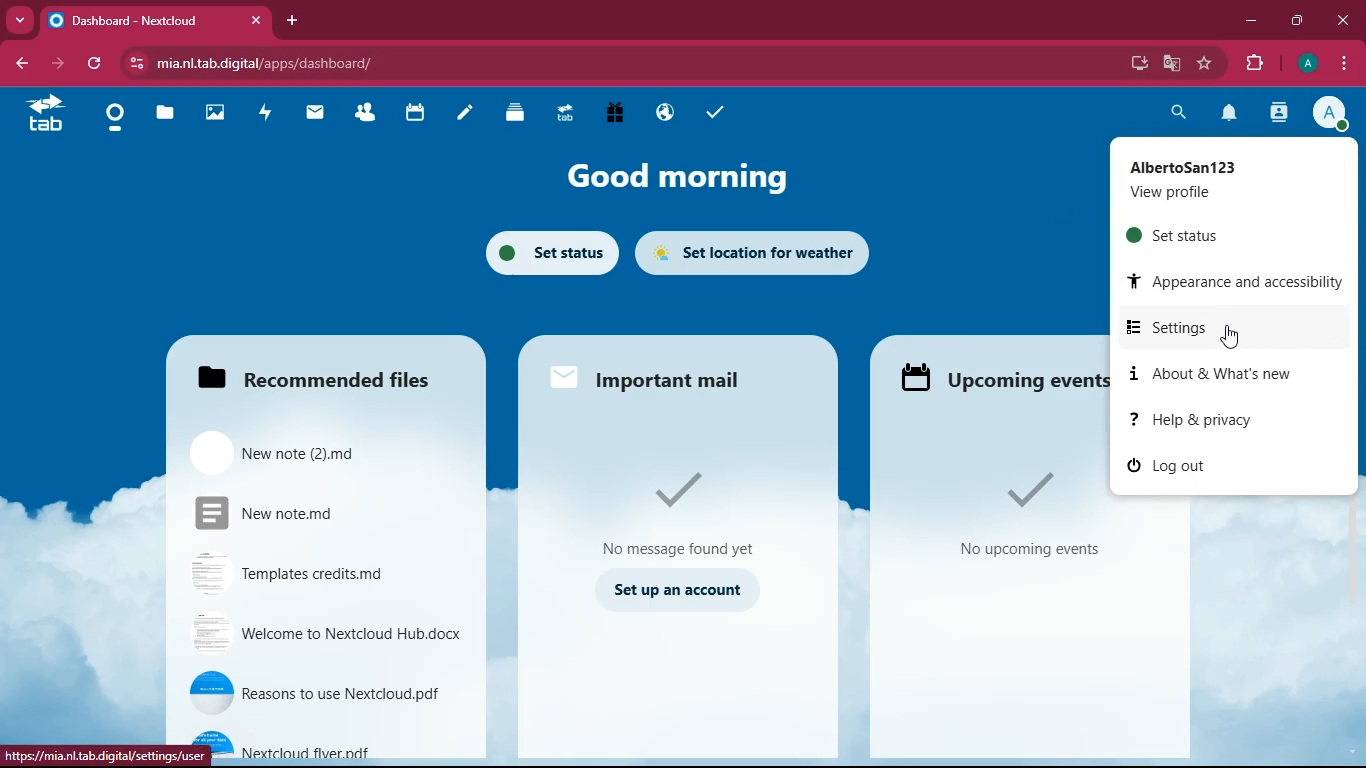 Image resolution: width=1366 pixels, height=768 pixels. What do you see at coordinates (1232, 196) in the screenshot?
I see `View Profile` at bounding box center [1232, 196].